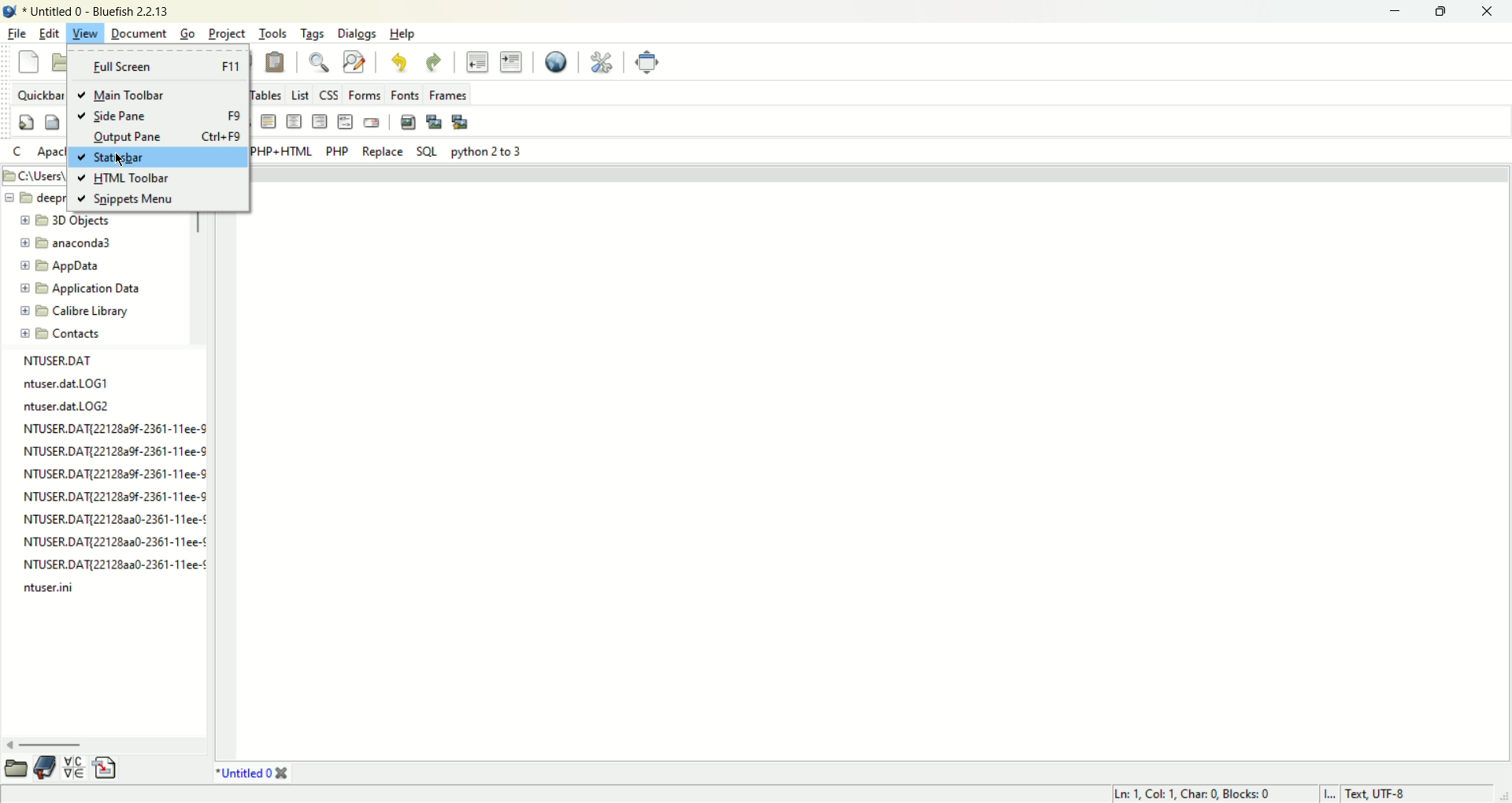 The width and height of the screenshot is (1512, 803). Describe the element at coordinates (401, 34) in the screenshot. I see `help` at that location.